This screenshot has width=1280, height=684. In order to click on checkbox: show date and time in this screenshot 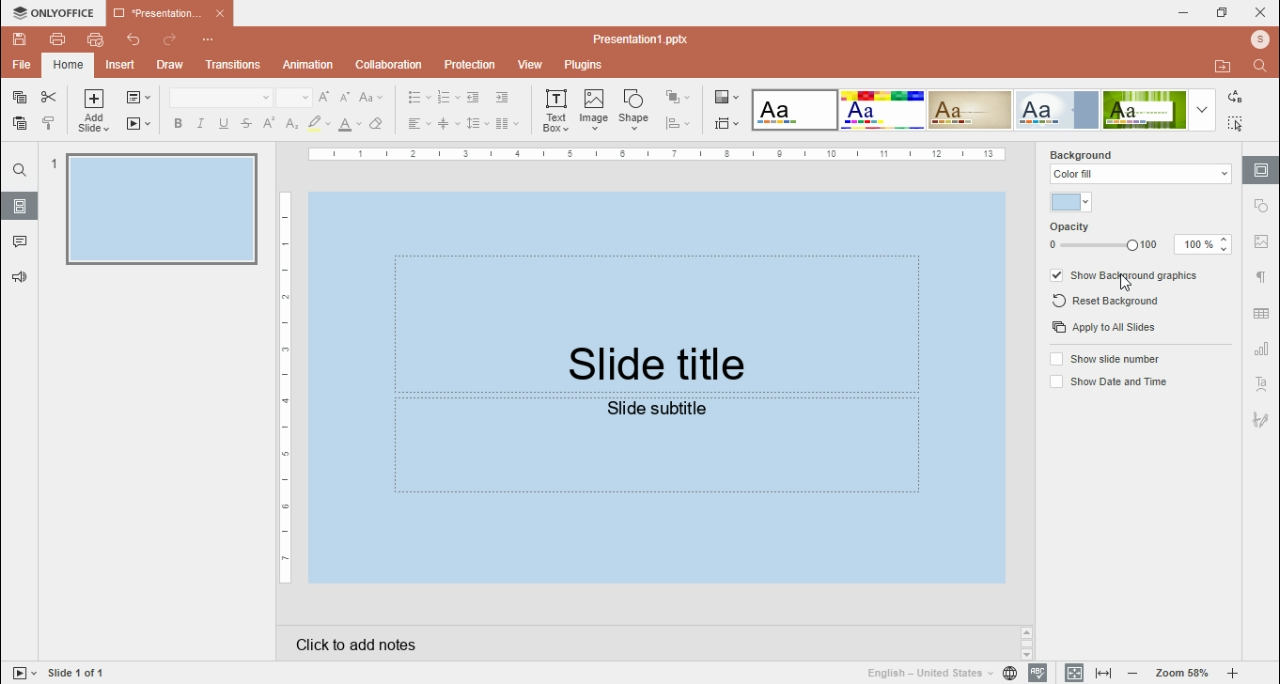, I will do `click(1107, 380)`.